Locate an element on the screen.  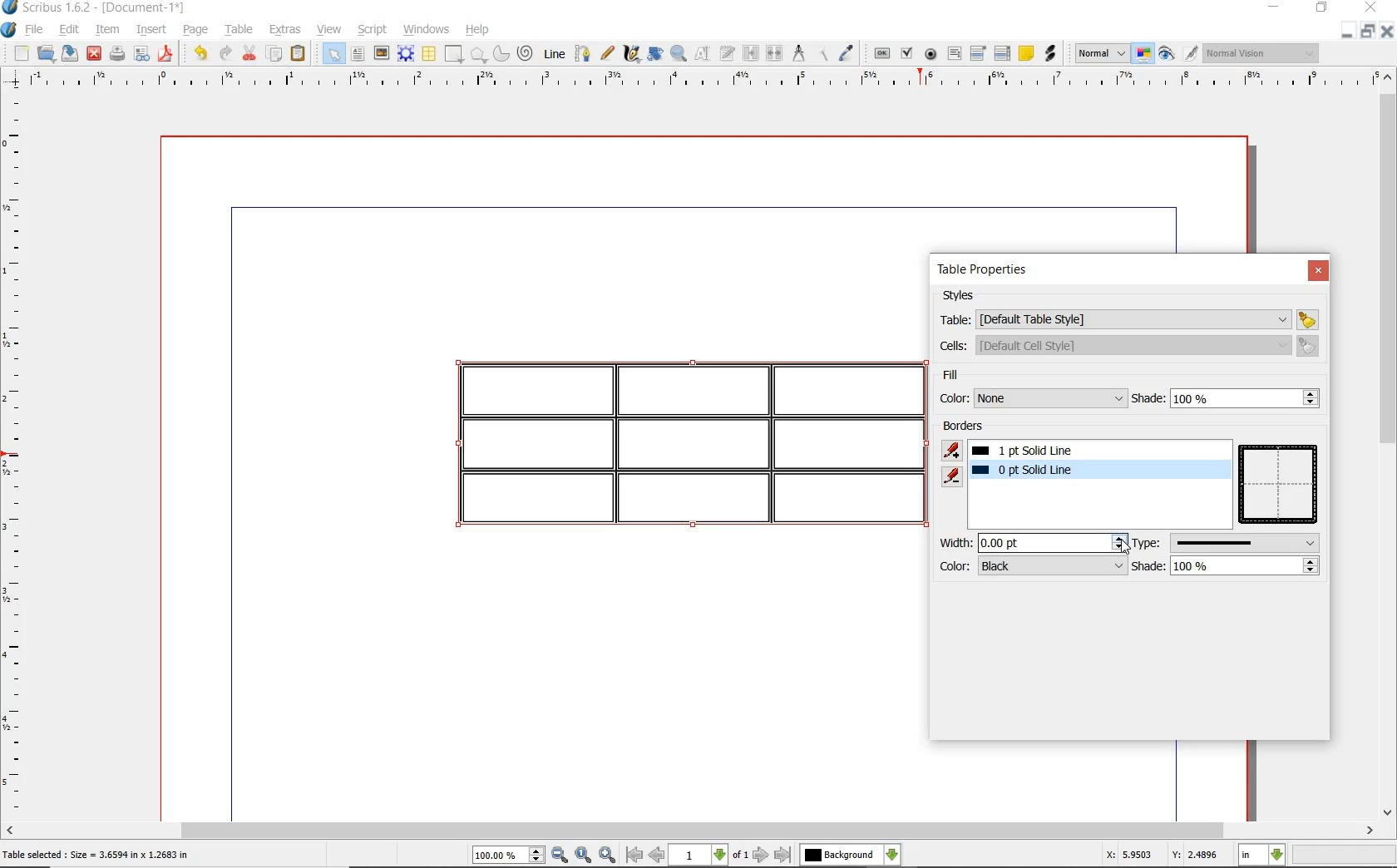
system logo is located at coordinates (9, 30).